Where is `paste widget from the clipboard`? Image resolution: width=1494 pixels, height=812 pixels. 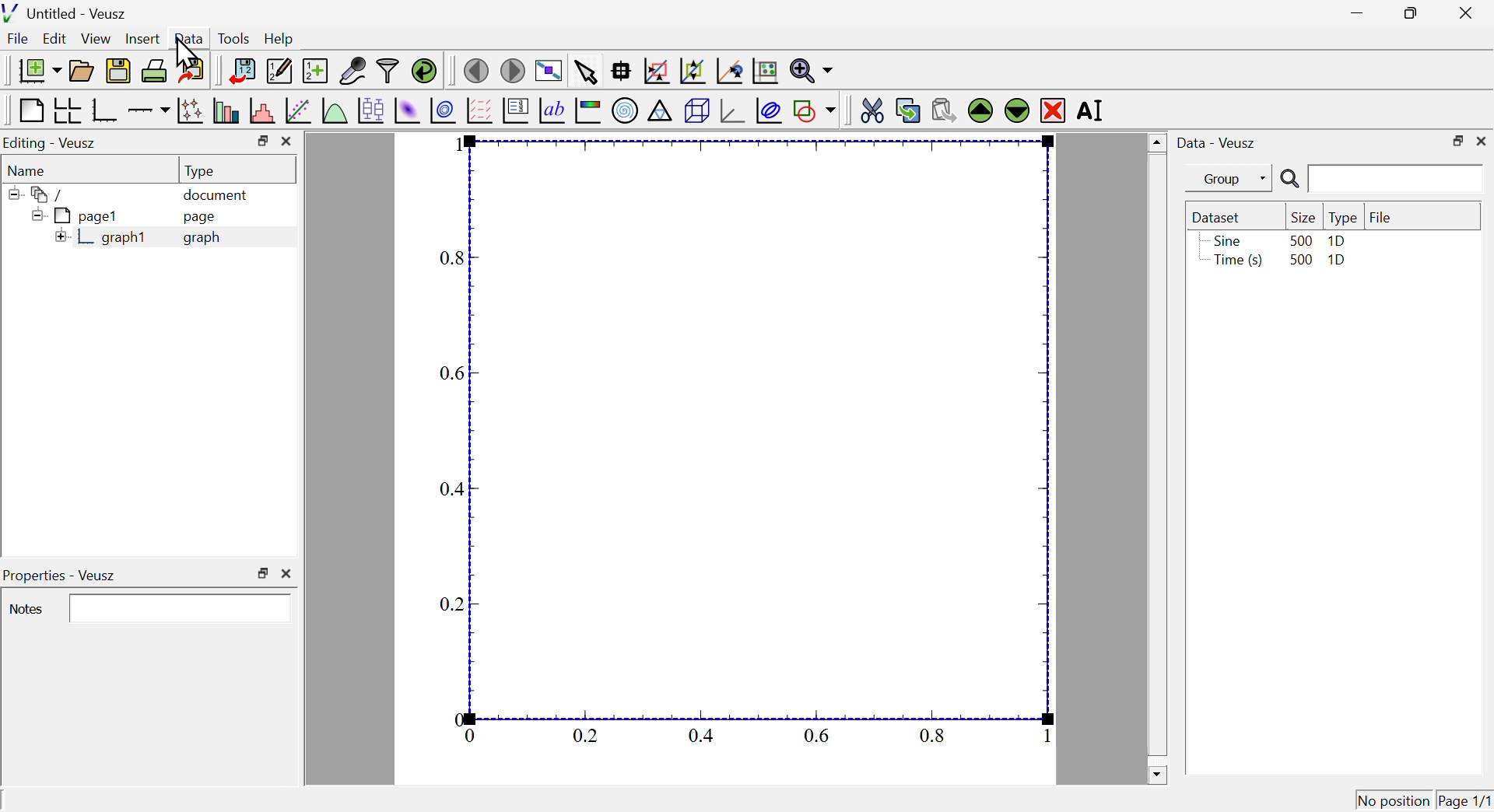
paste widget from the clipboard is located at coordinates (945, 108).